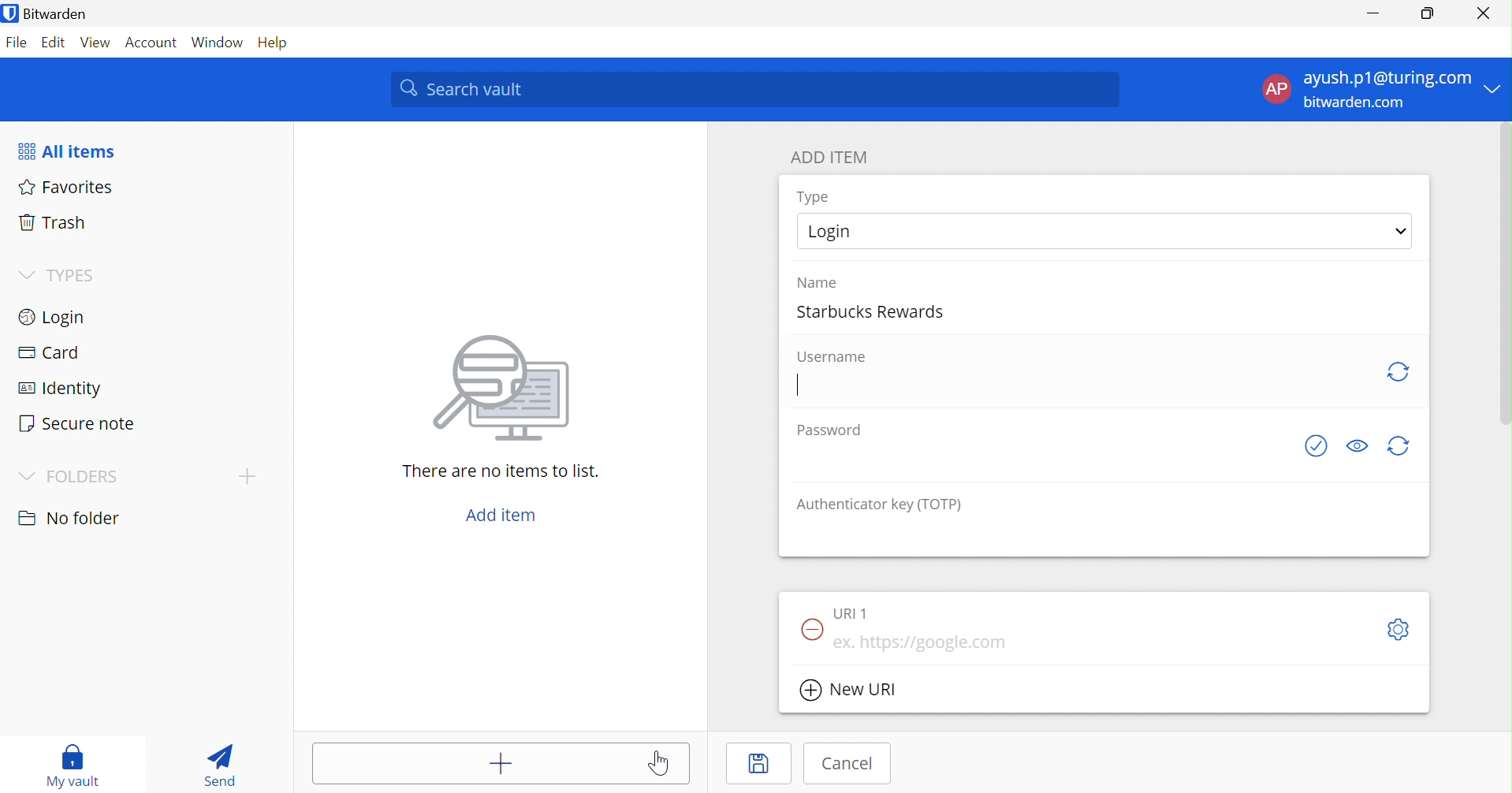 The height and width of the screenshot is (793, 1512). Describe the element at coordinates (836, 357) in the screenshot. I see `Username` at that location.